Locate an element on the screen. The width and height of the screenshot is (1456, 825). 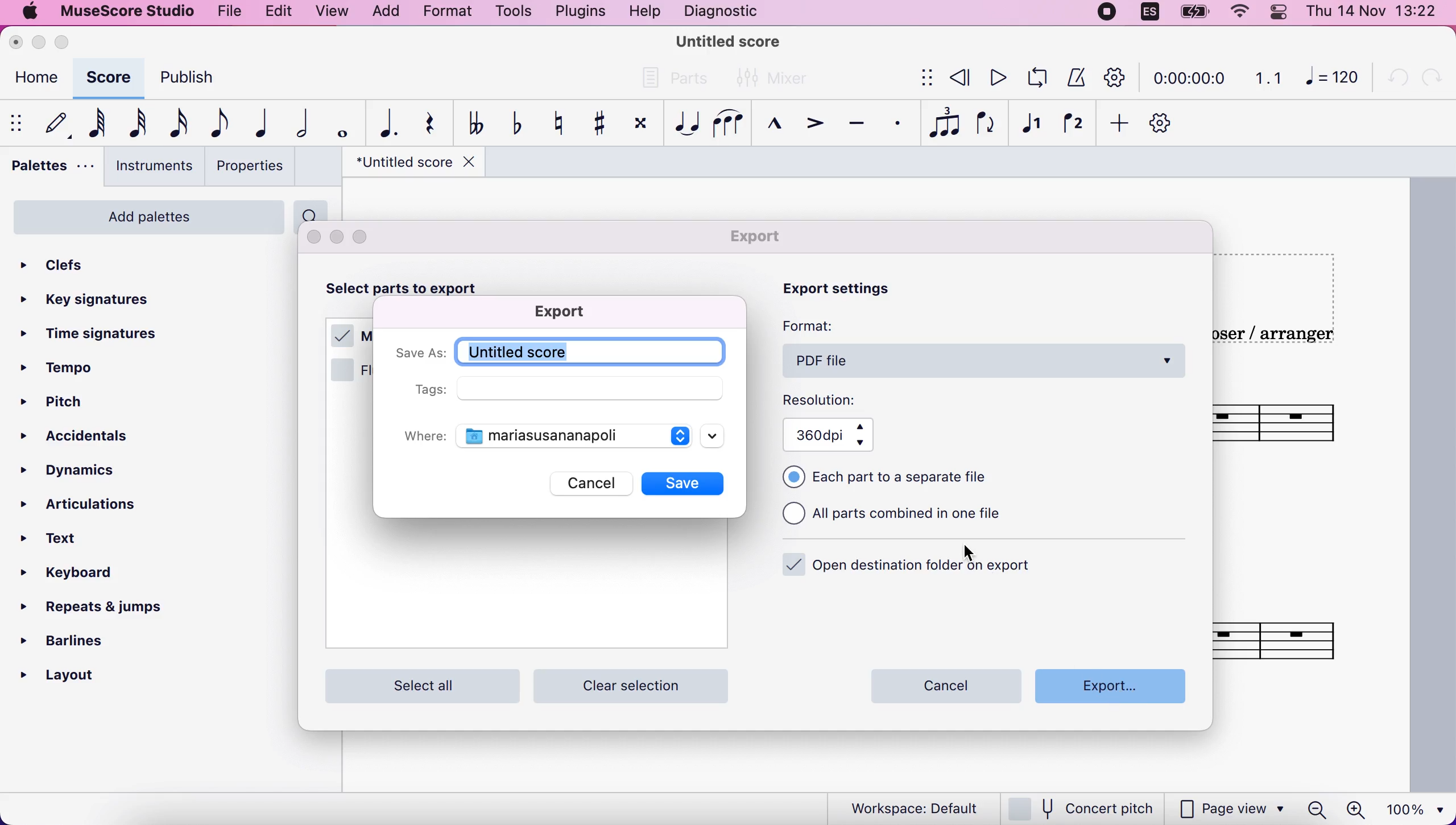
export settings is located at coordinates (850, 294).